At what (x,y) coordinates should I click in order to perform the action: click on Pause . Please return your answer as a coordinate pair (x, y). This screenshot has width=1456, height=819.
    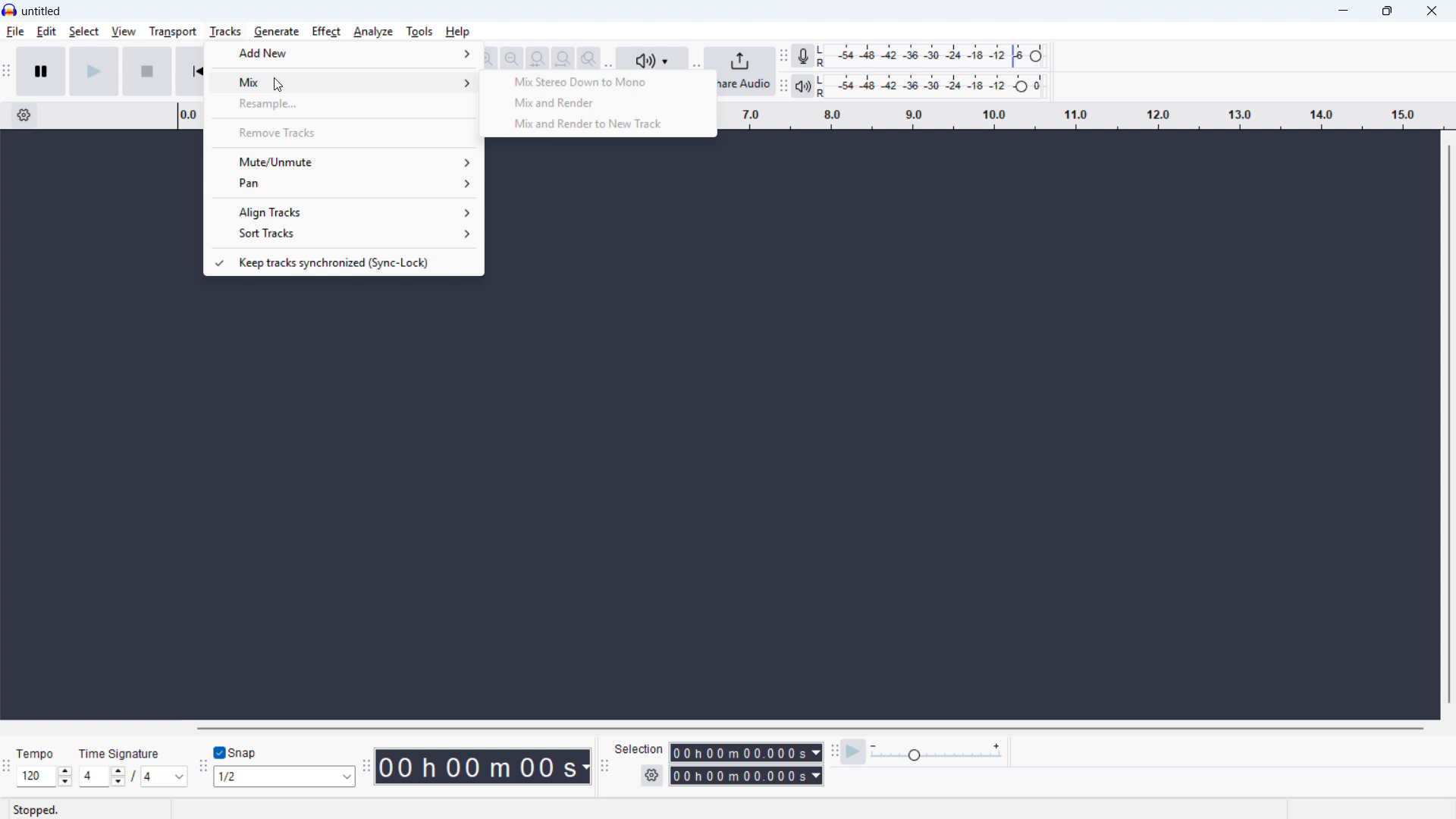
    Looking at the image, I should click on (42, 71).